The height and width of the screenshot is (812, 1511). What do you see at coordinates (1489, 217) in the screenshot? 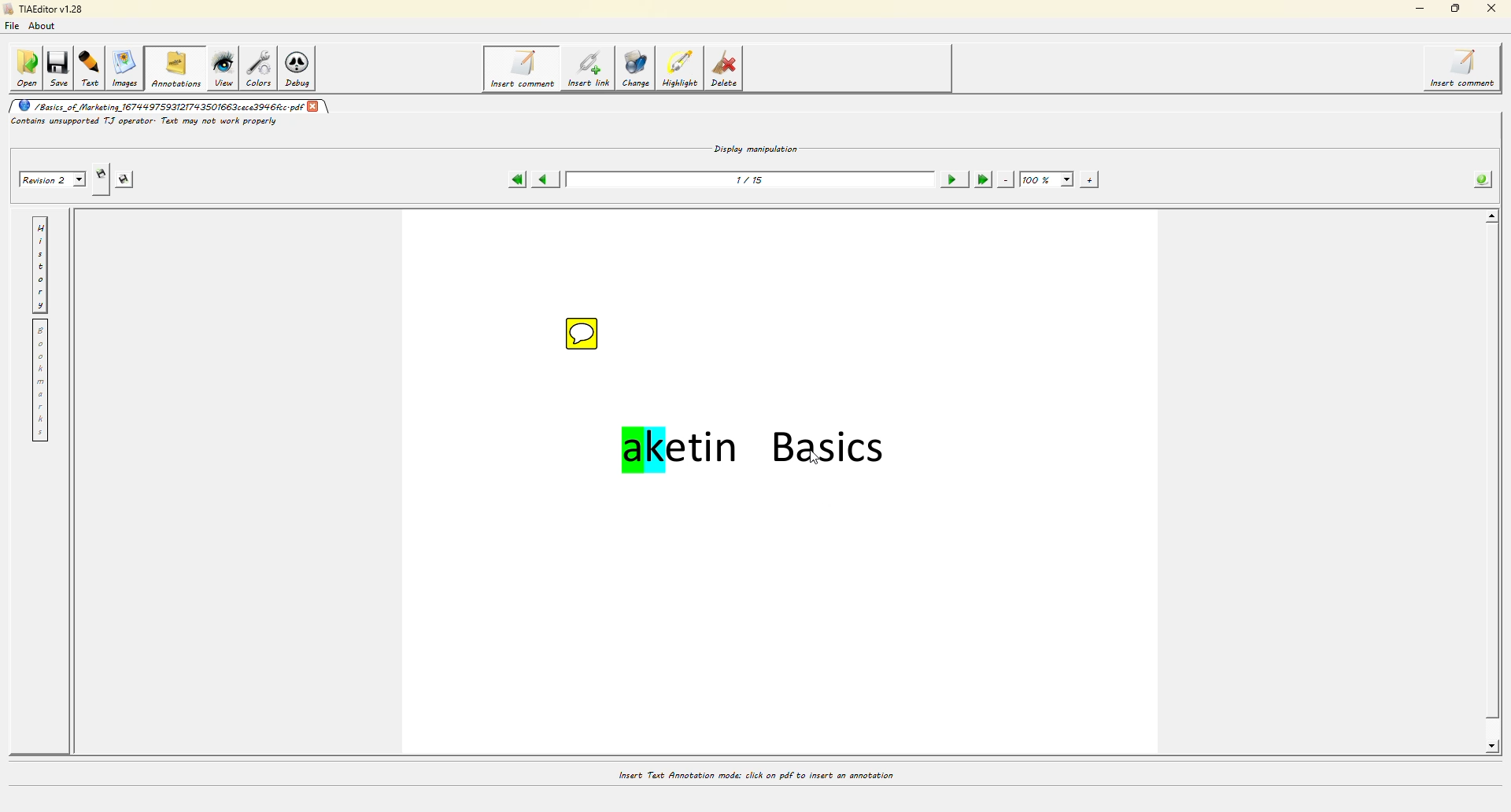
I see `scroll up` at bounding box center [1489, 217].